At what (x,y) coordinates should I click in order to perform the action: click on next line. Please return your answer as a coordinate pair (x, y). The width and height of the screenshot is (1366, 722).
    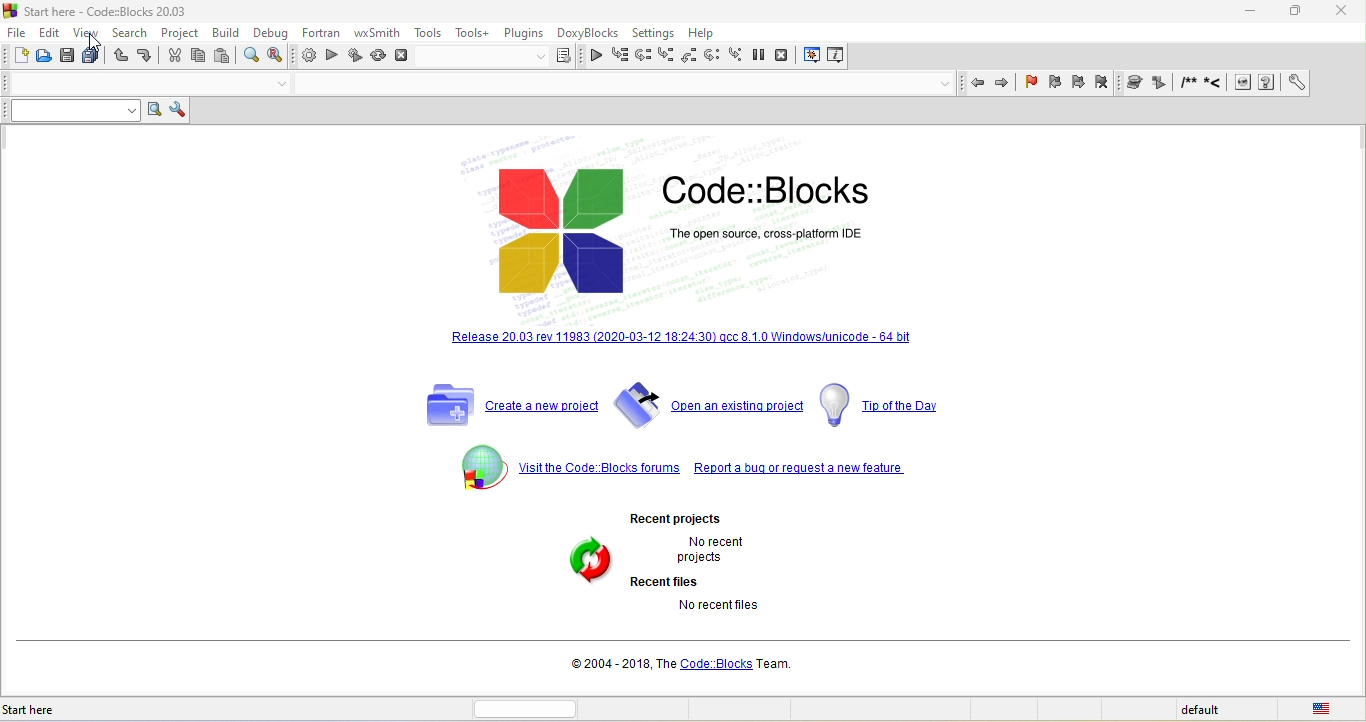
    Looking at the image, I should click on (647, 55).